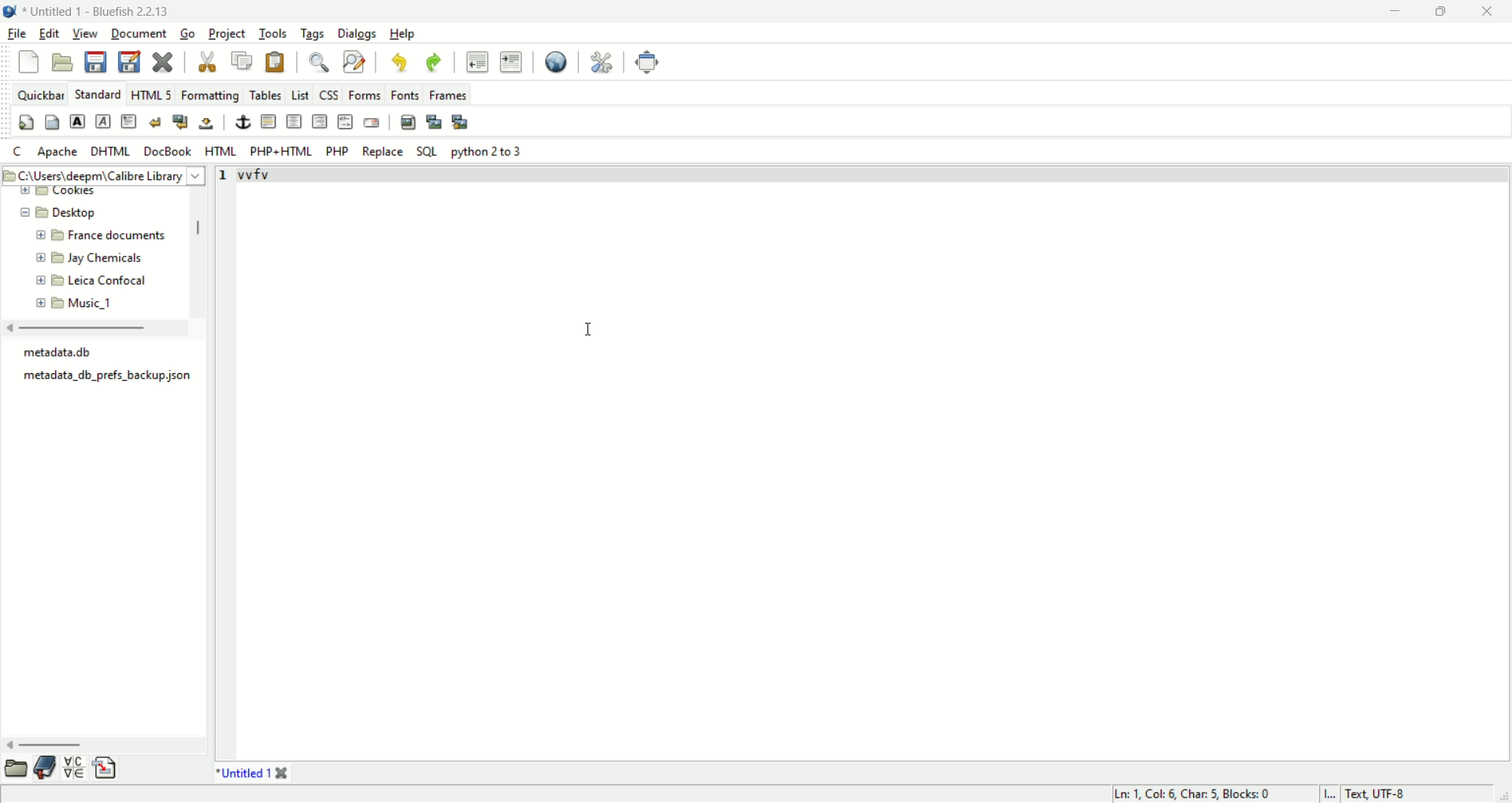 The width and height of the screenshot is (1512, 803). Describe the element at coordinates (511, 61) in the screenshot. I see `indent` at that location.